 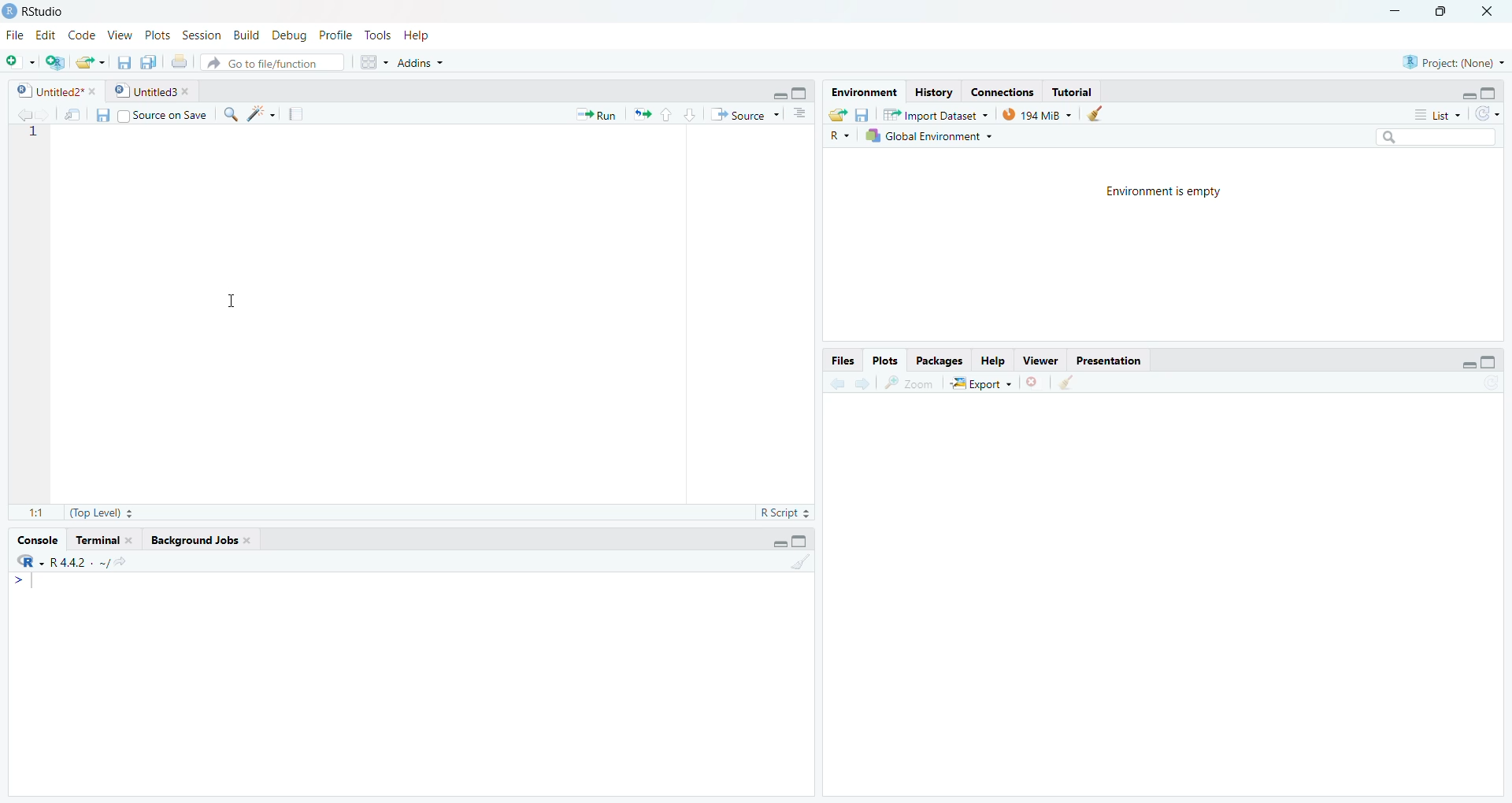 What do you see at coordinates (939, 137) in the screenshot?
I see `R + 1k Global Environment +` at bounding box center [939, 137].